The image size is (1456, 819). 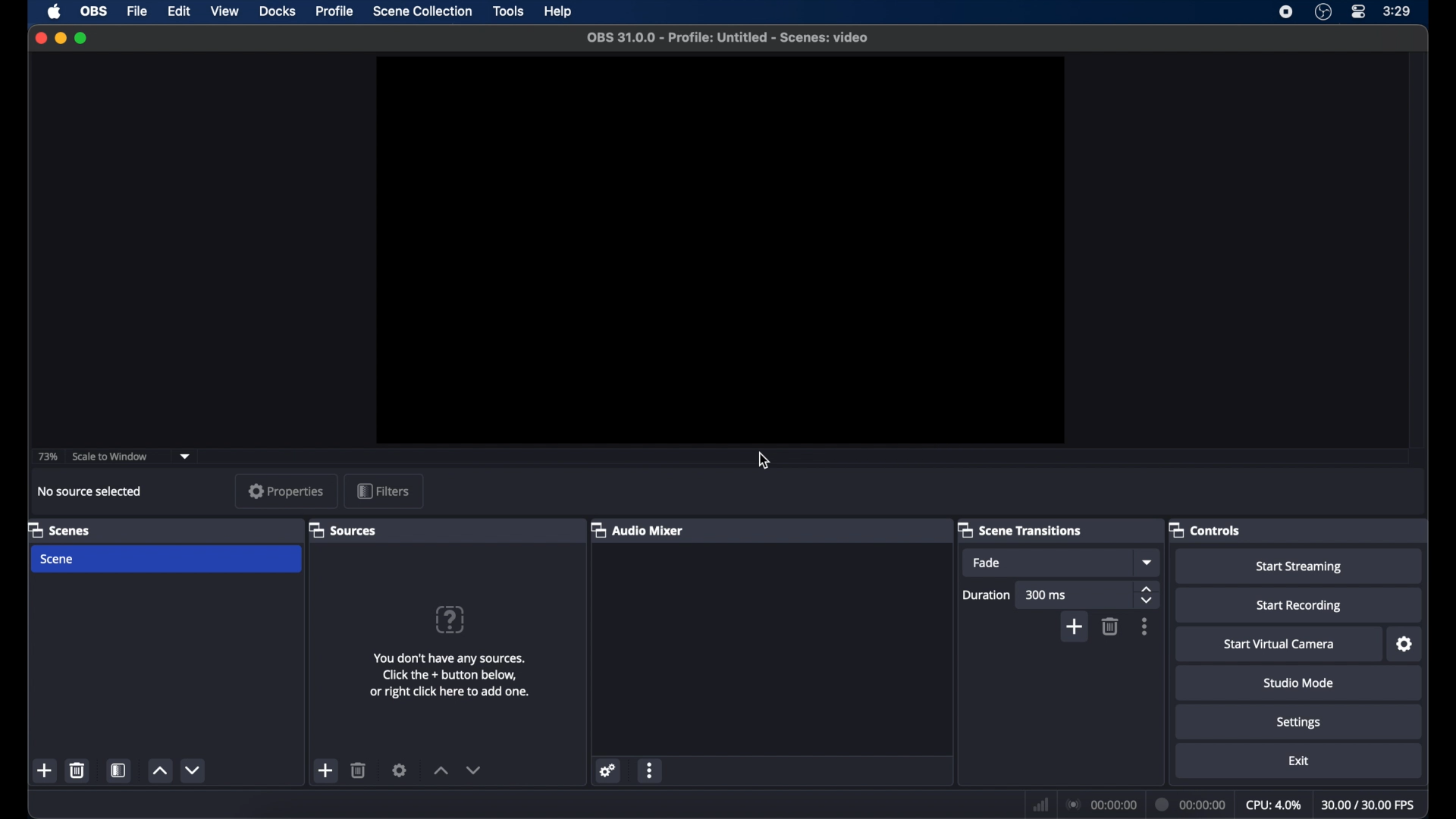 I want to click on tools, so click(x=510, y=11).